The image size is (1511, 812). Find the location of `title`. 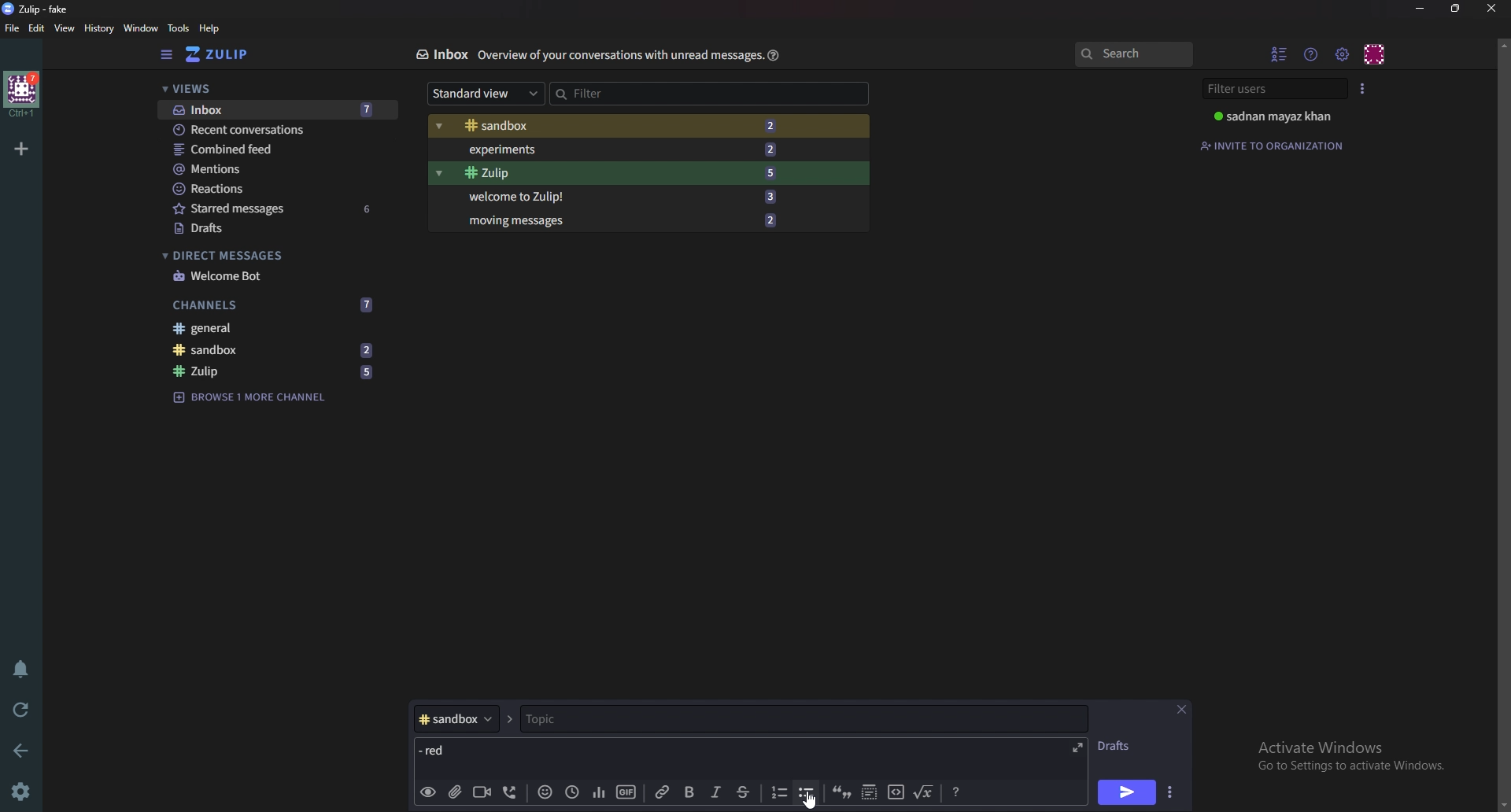

title is located at coordinates (43, 9).